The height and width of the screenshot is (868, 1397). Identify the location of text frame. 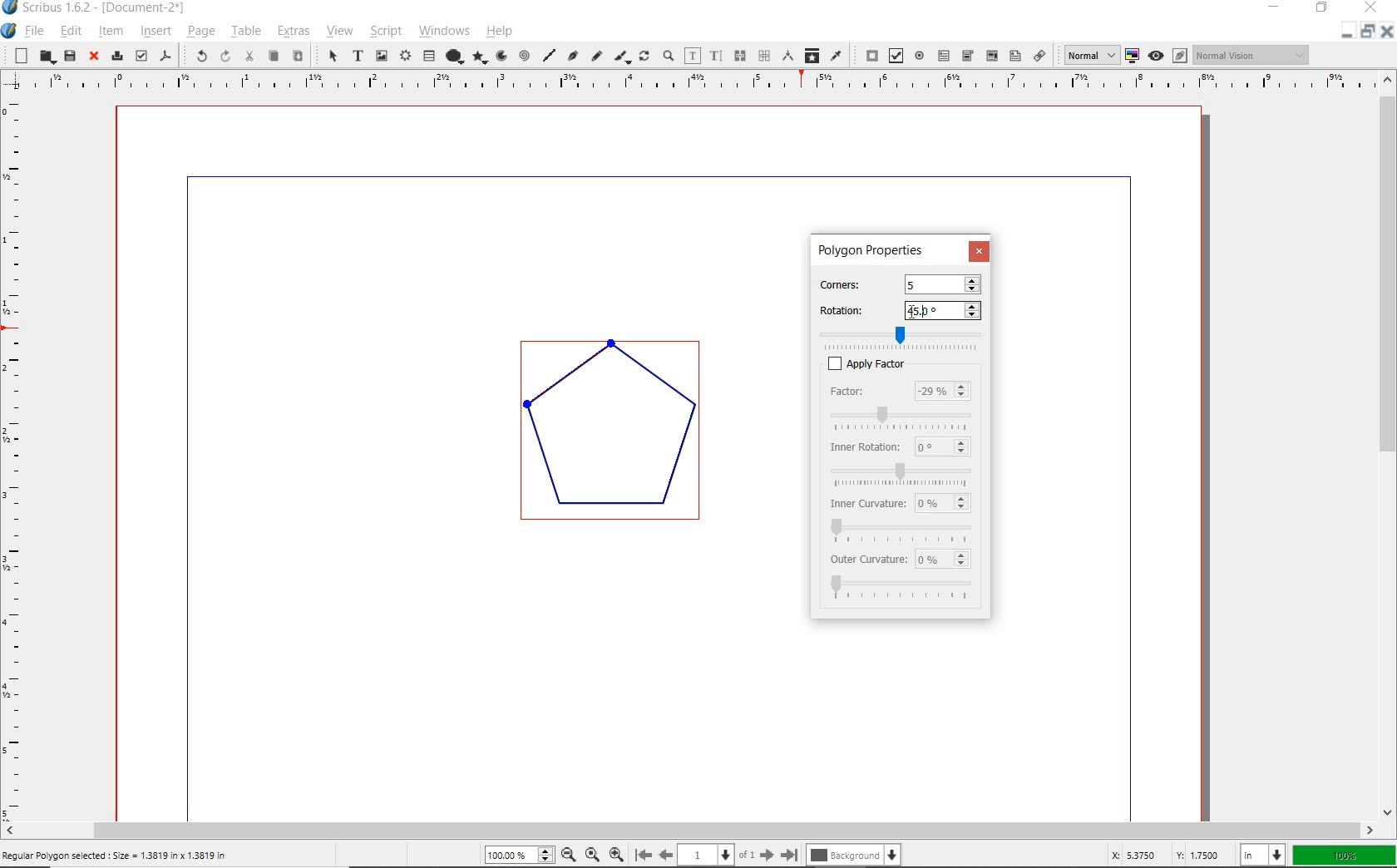
(358, 57).